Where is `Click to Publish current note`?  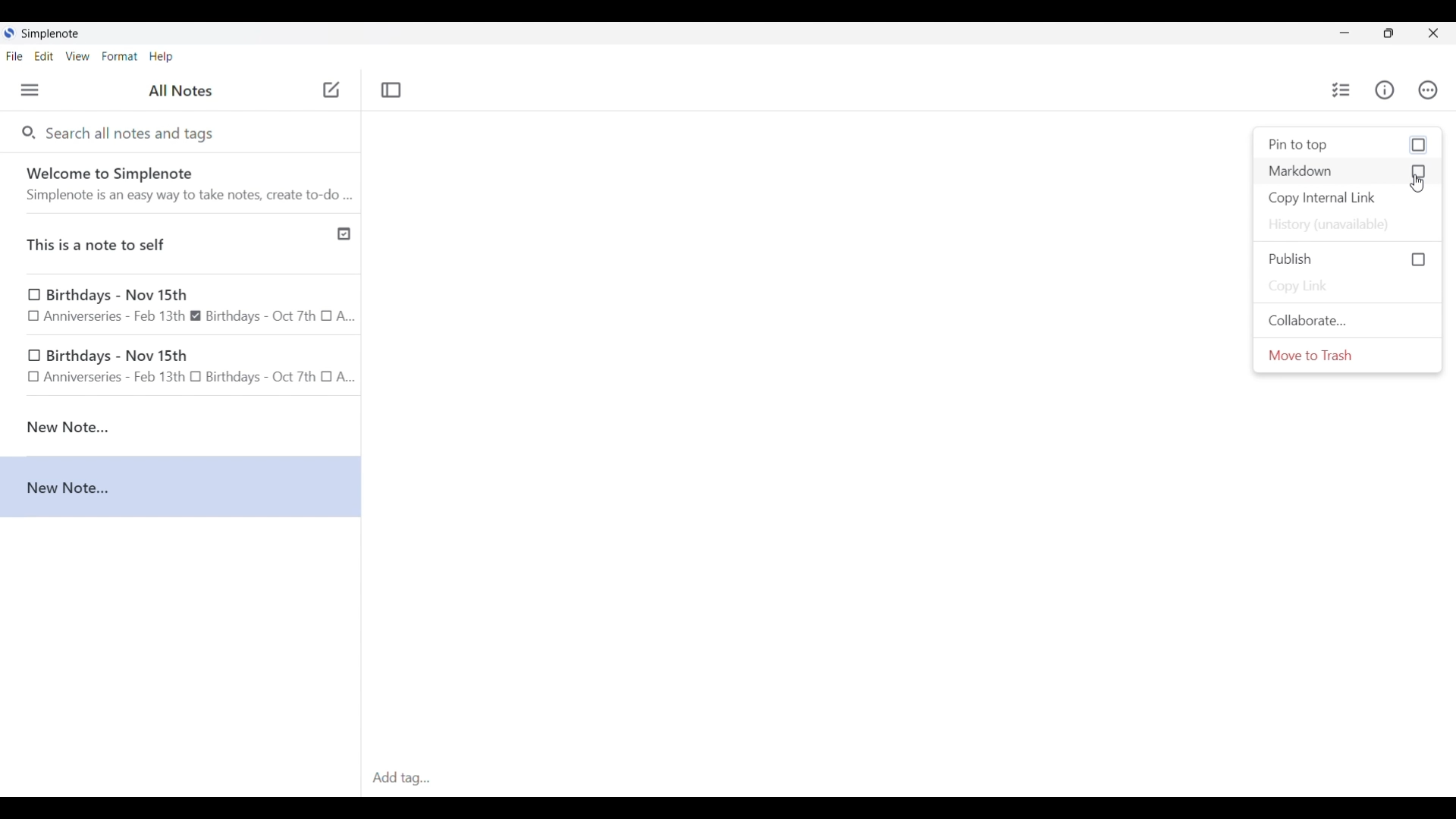 Click to Publish current note is located at coordinates (1348, 259).